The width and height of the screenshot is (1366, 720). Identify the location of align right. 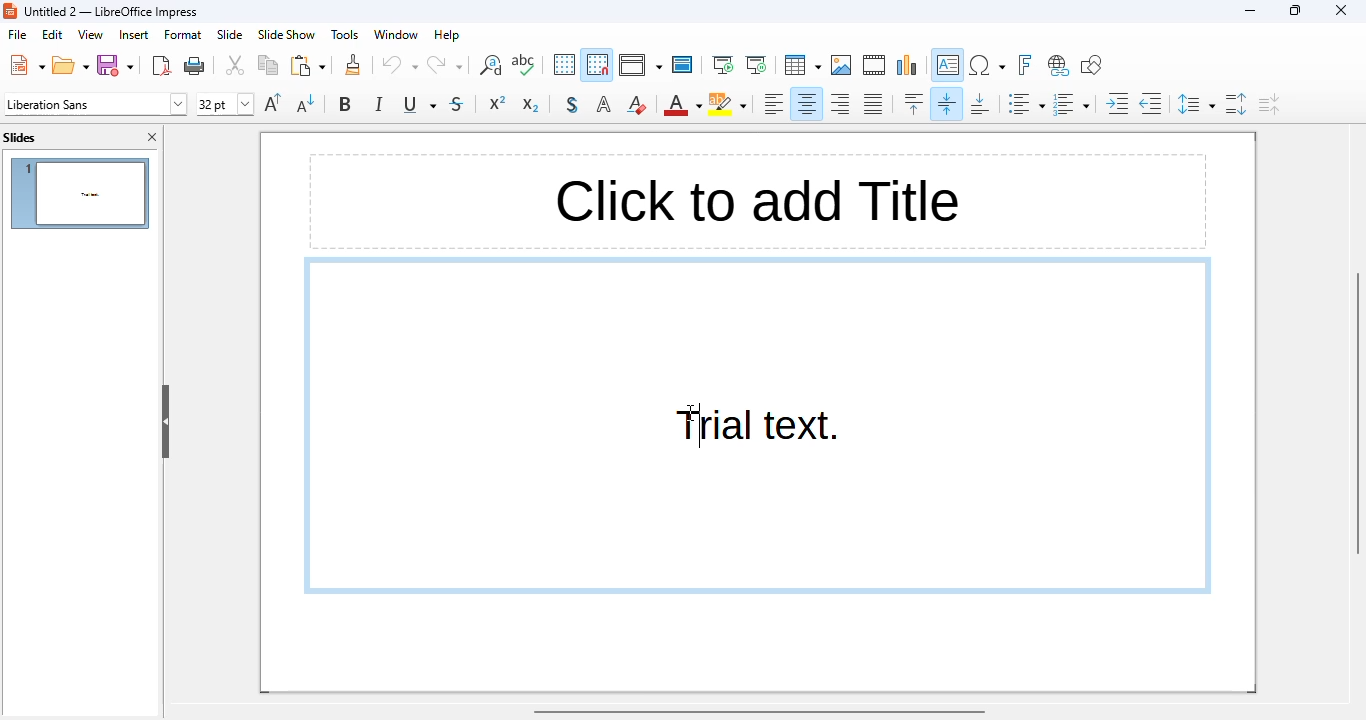
(840, 104).